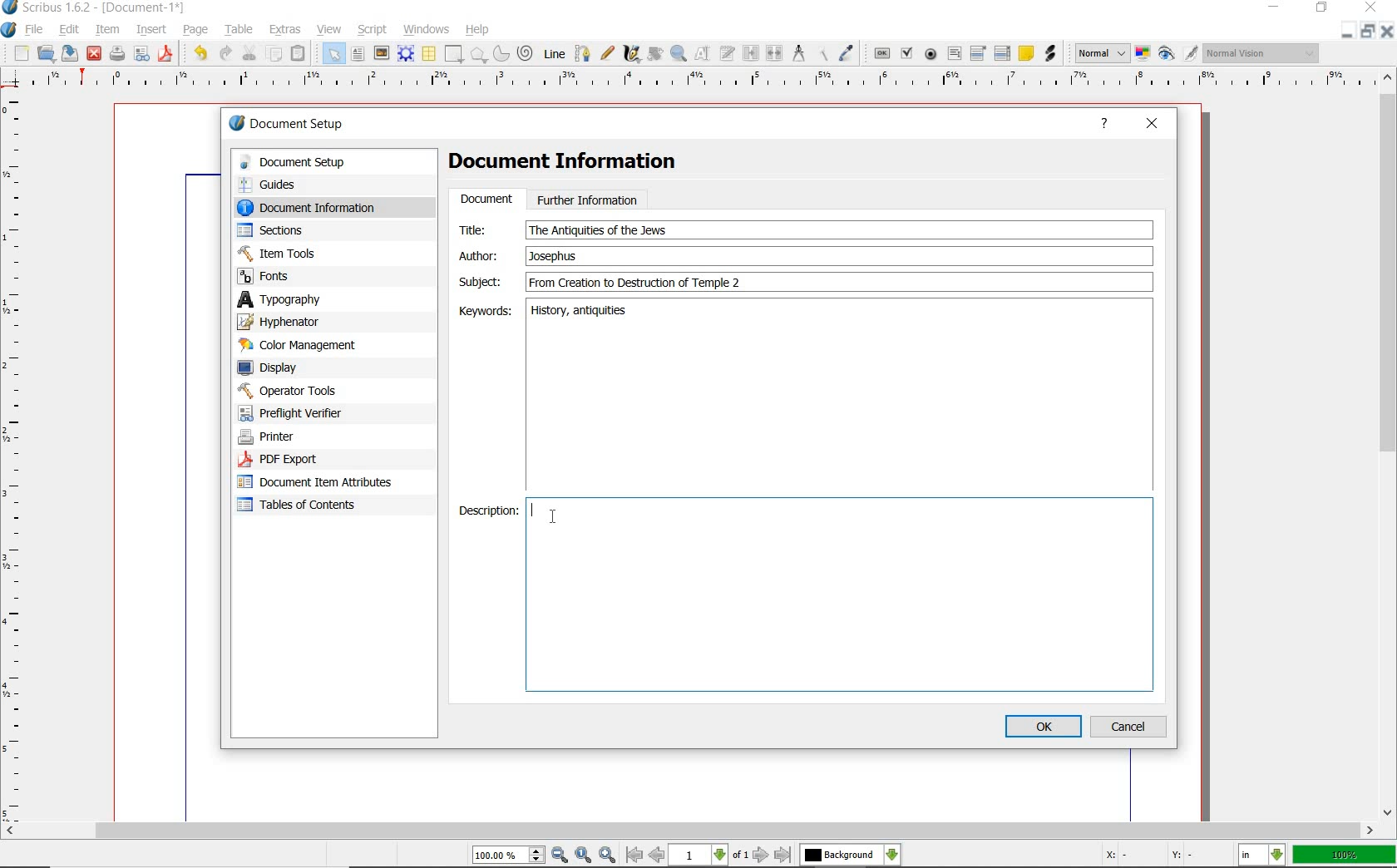 This screenshot has height=868, width=1397. What do you see at coordinates (47, 53) in the screenshot?
I see `open` at bounding box center [47, 53].